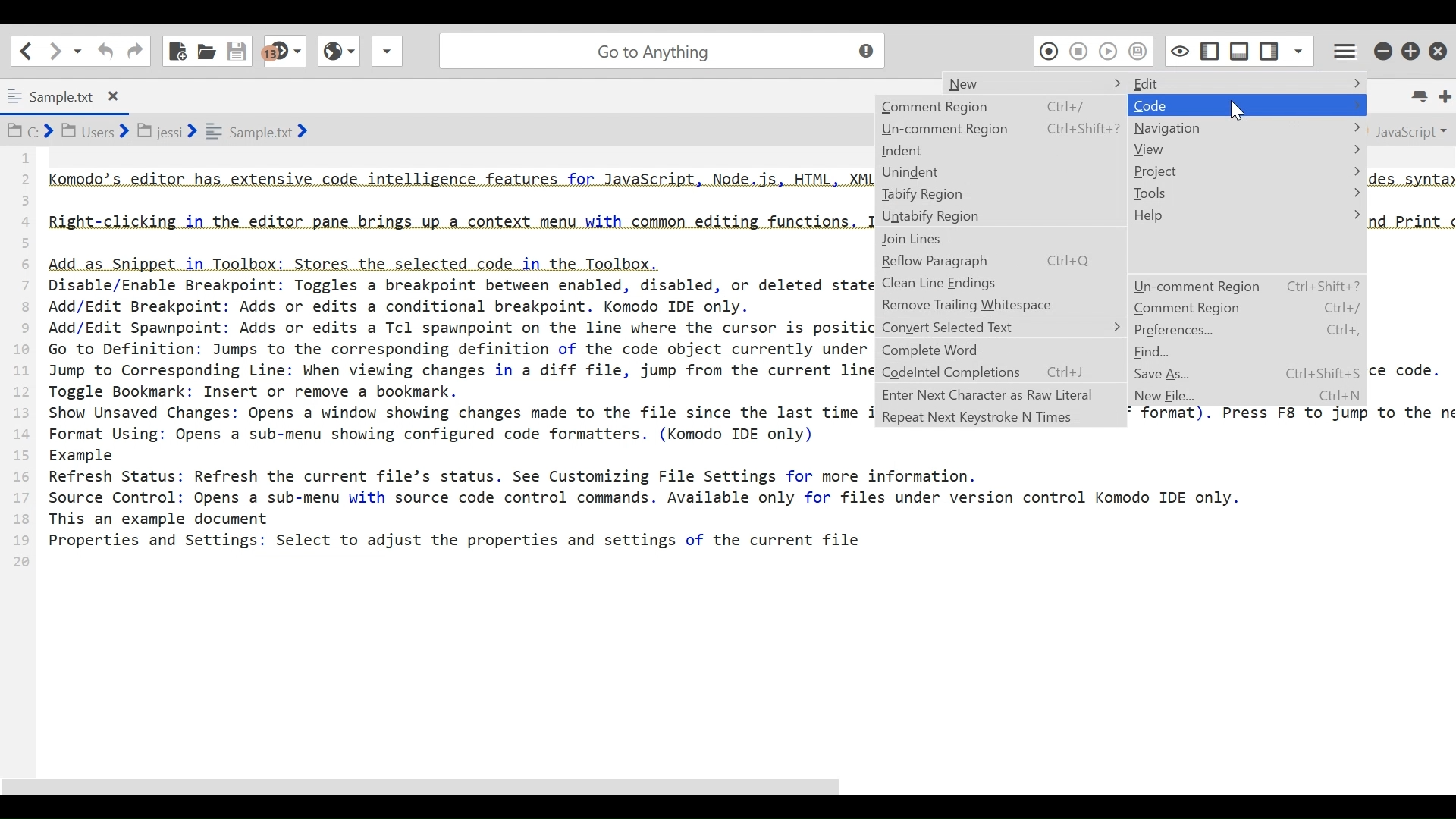 The width and height of the screenshot is (1456, 819). I want to click on , so click(1244, 84).